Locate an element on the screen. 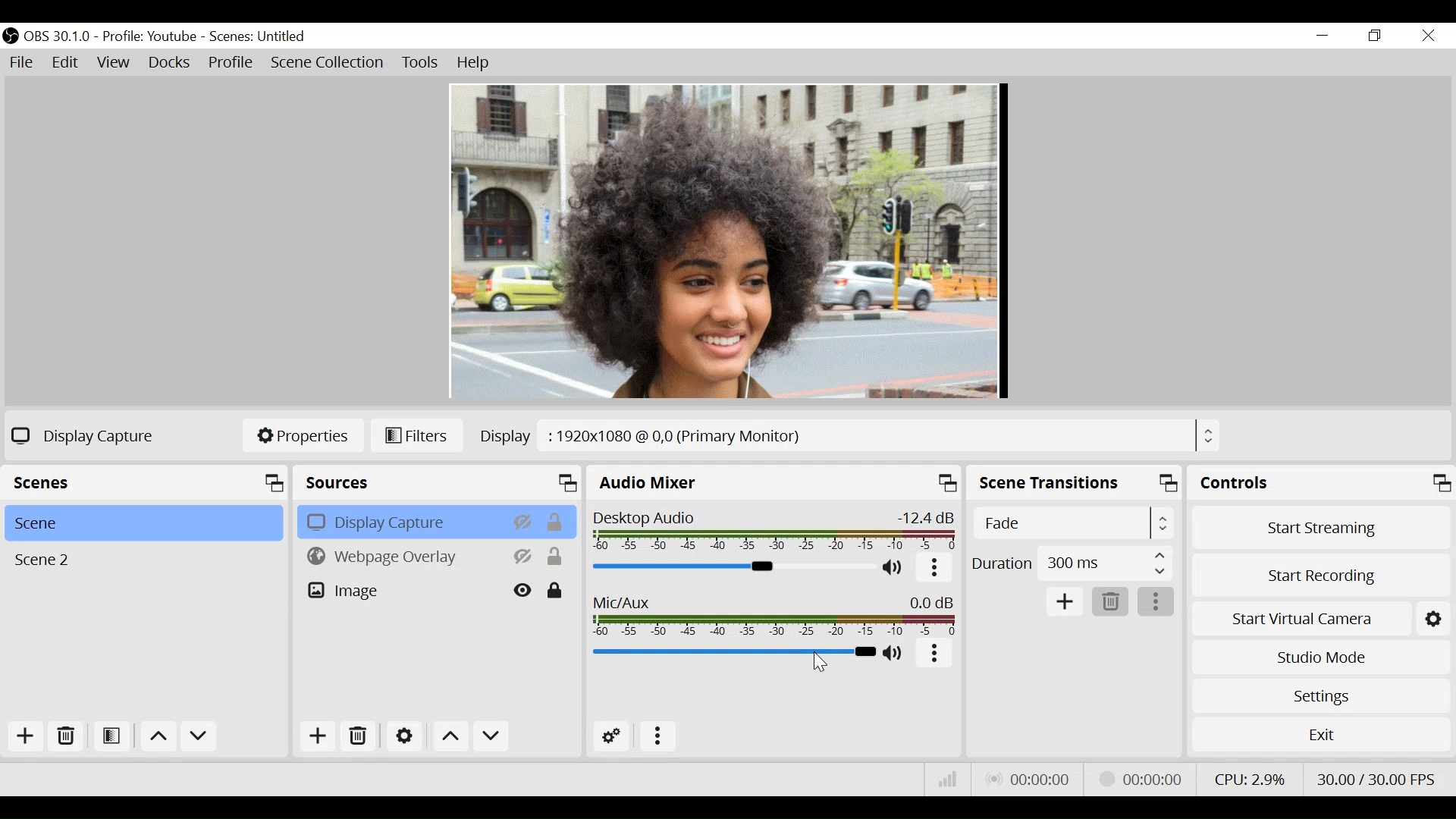 The height and width of the screenshot is (819, 1456). Browser Source is located at coordinates (401, 557).